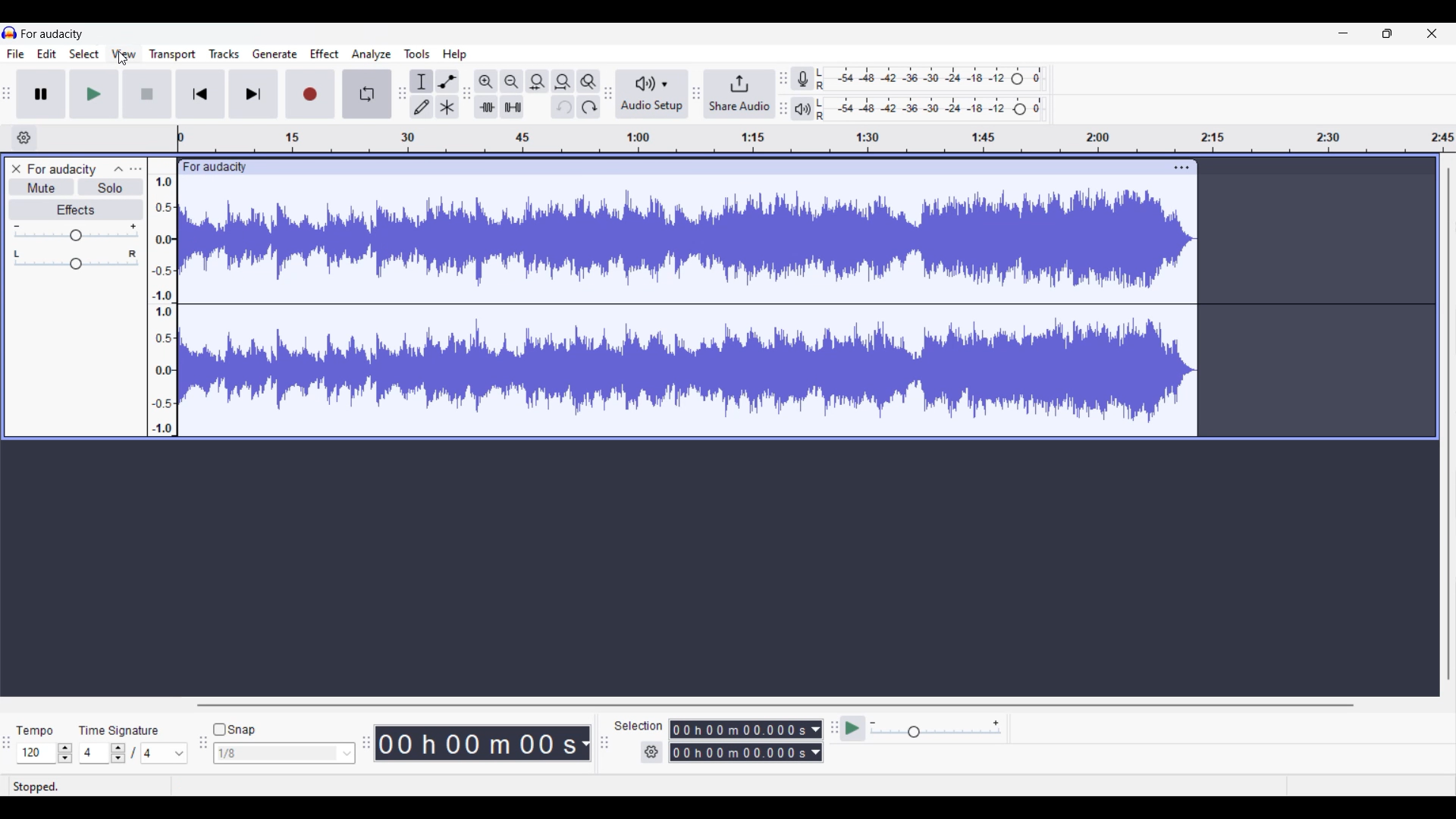 The height and width of the screenshot is (819, 1456). I want to click on click to move, so click(713, 166).